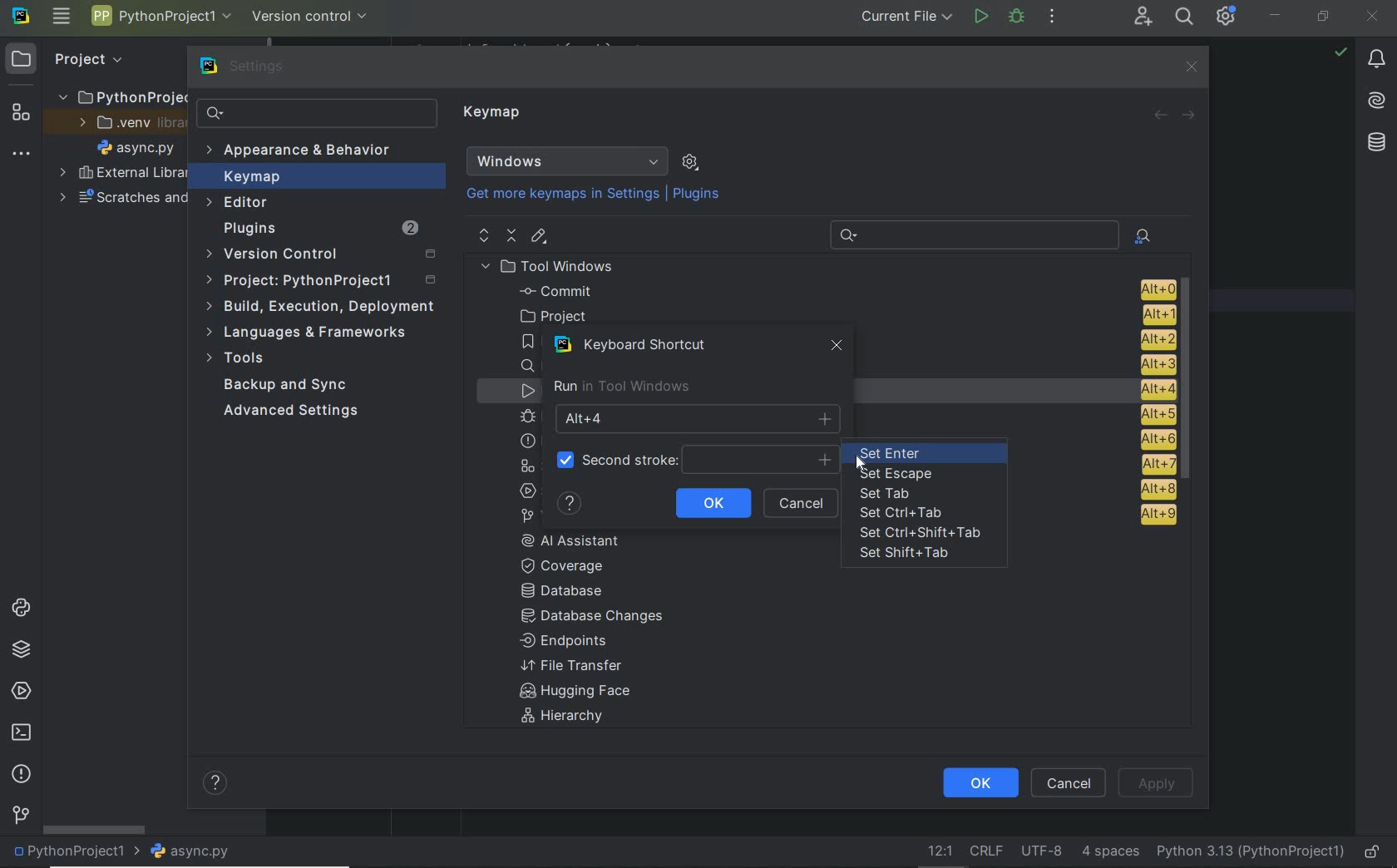 This screenshot has width=1397, height=868. What do you see at coordinates (906, 513) in the screenshot?
I see `set Ctrl+Tab` at bounding box center [906, 513].